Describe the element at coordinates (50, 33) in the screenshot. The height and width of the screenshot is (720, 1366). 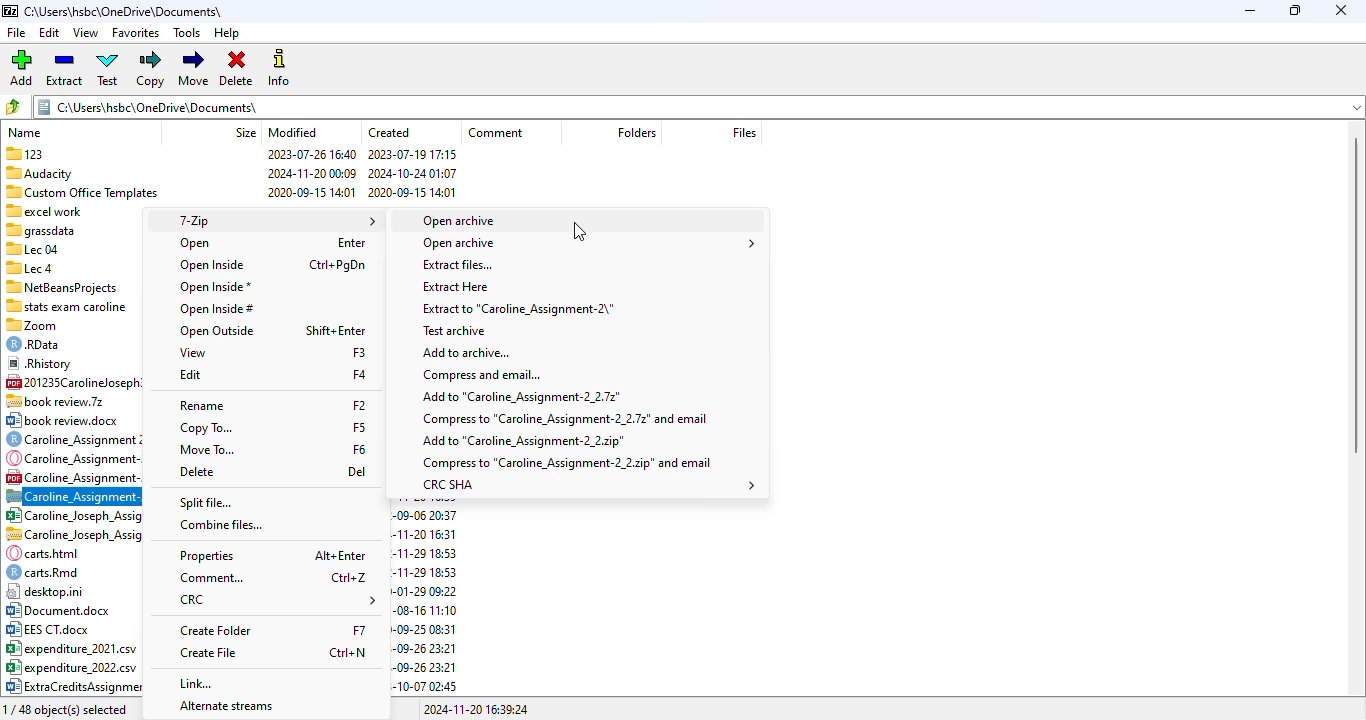
I see `edit` at that location.